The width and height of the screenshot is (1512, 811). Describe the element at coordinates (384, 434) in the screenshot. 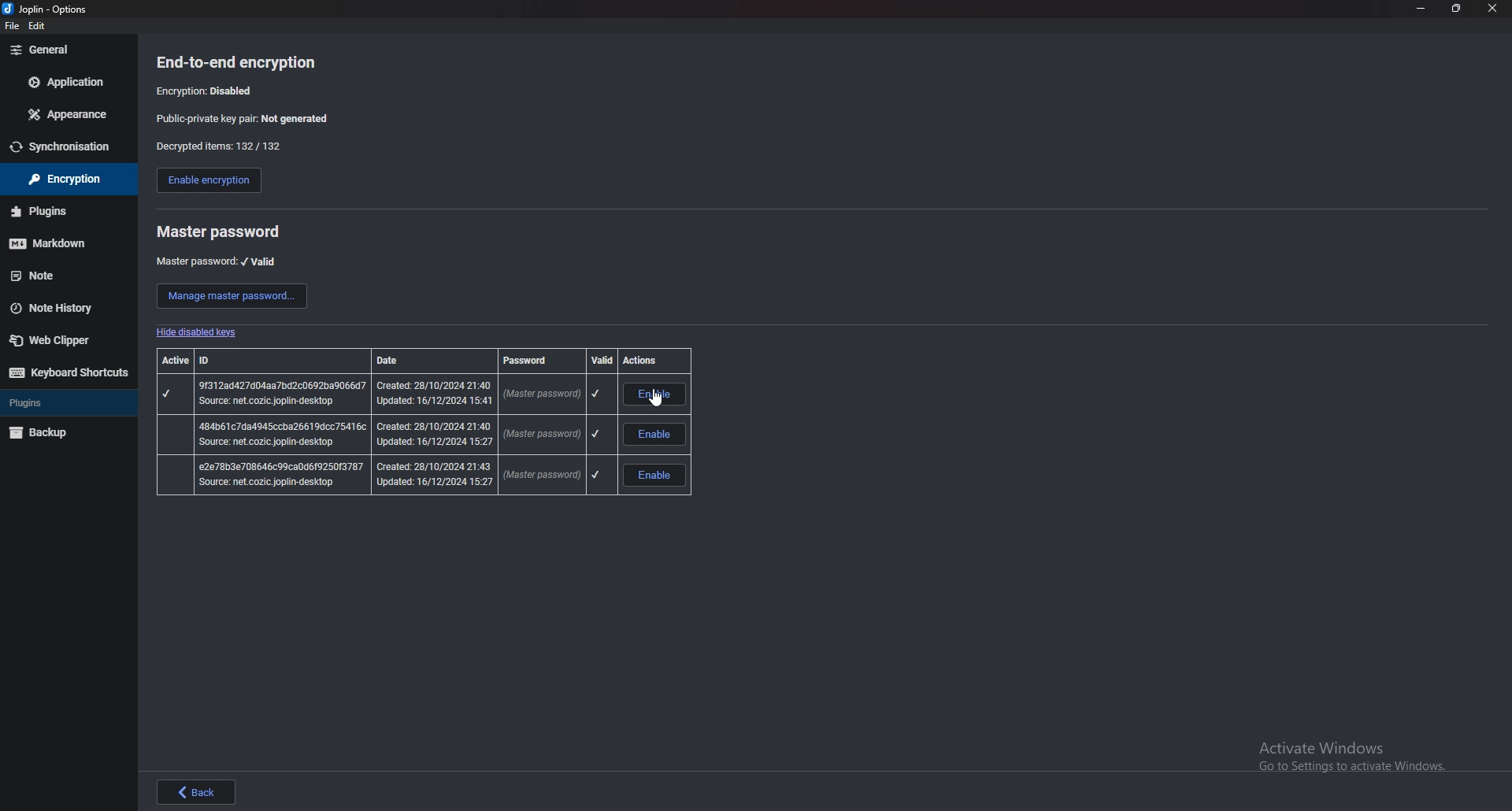

I see `master password` at that location.